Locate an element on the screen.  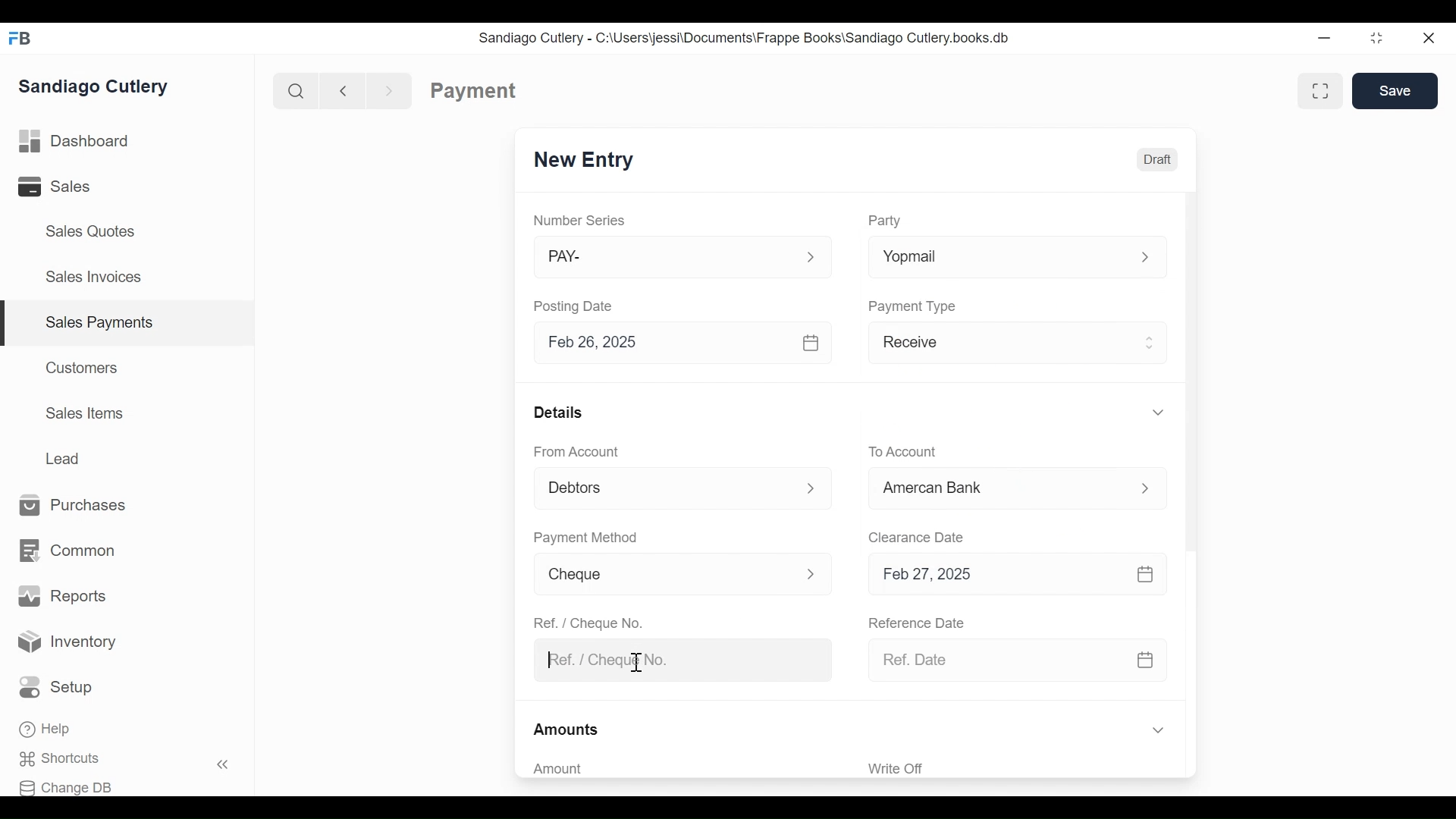
Setup is located at coordinates (60, 688).